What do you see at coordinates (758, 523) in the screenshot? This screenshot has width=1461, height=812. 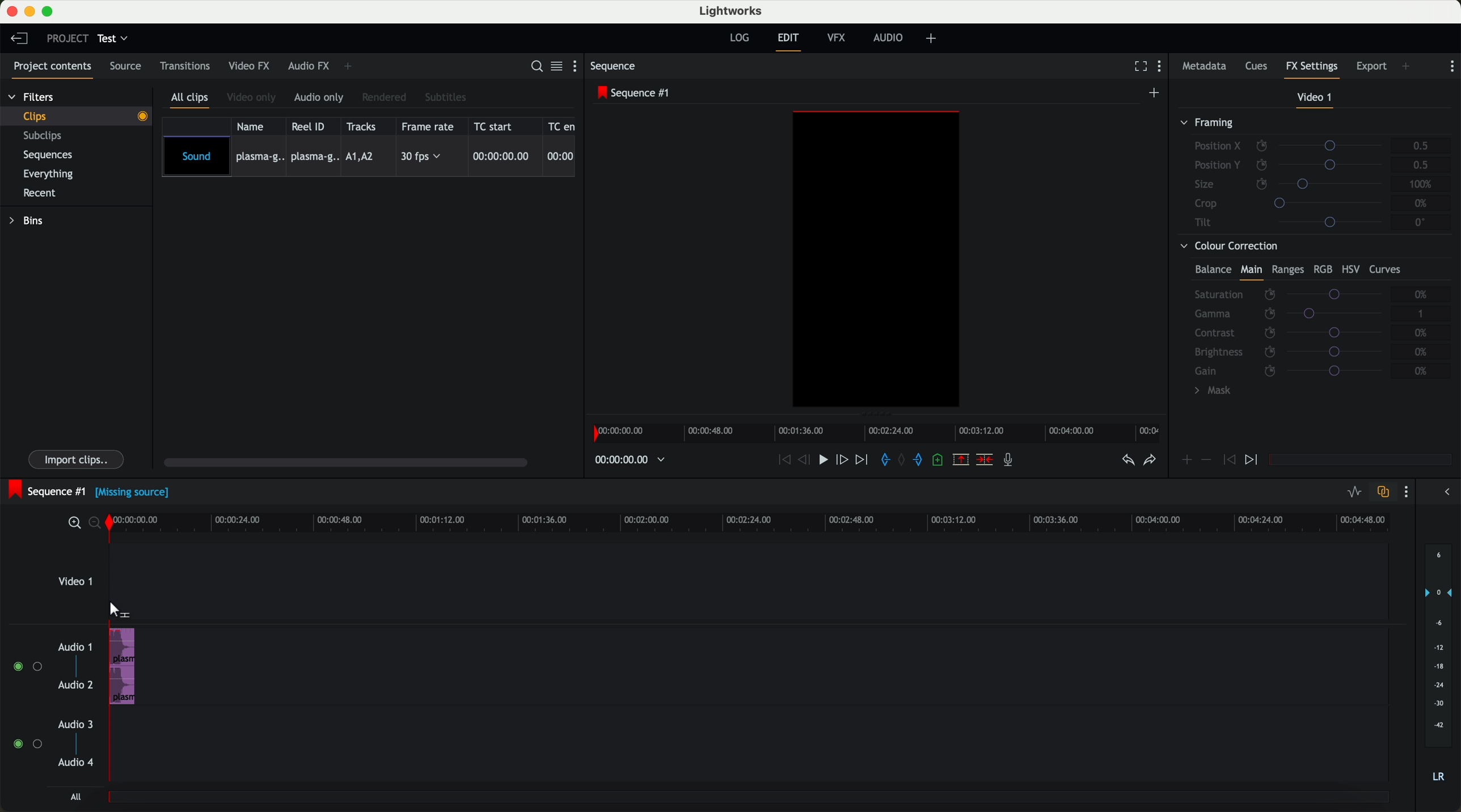 I see `timeline` at bounding box center [758, 523].